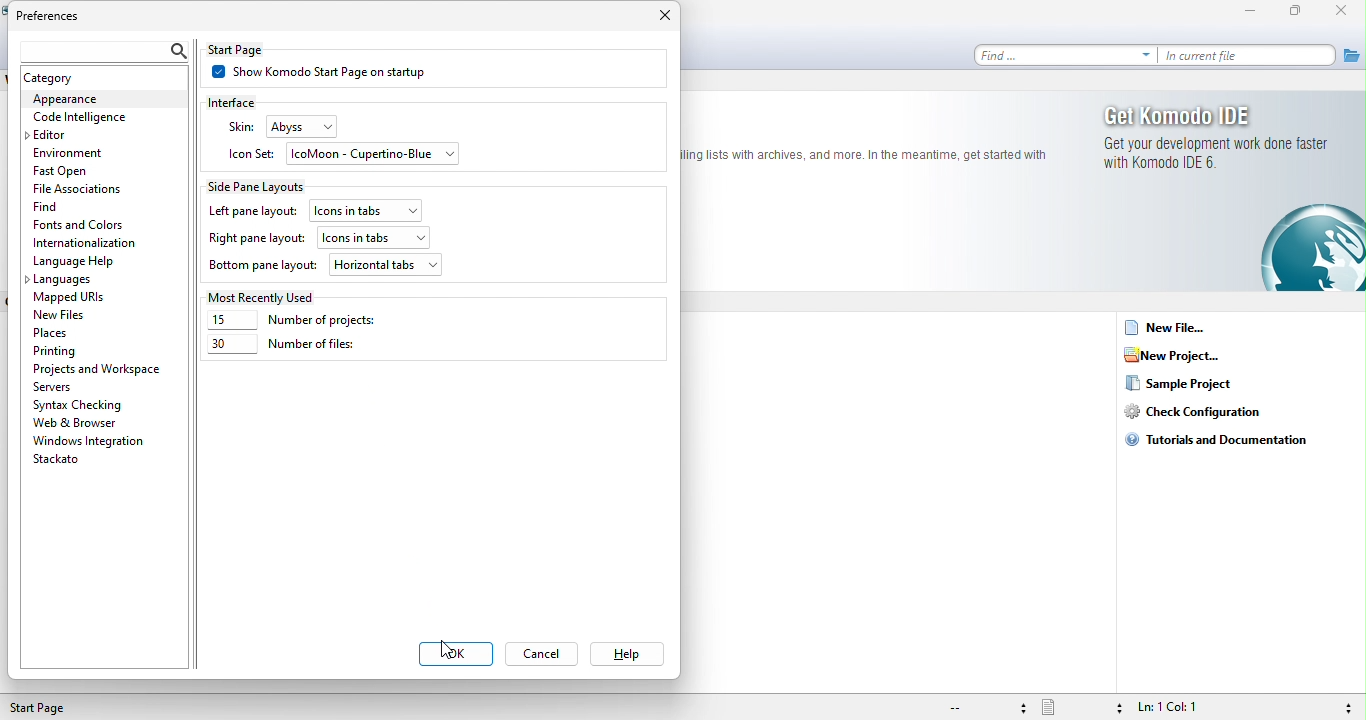 Image resolution: width=1366 pixels, height=720 pixels. Describe the element at coordinates (1228, 439) in the screenshot. I see `tutorials and documentation` at that location.